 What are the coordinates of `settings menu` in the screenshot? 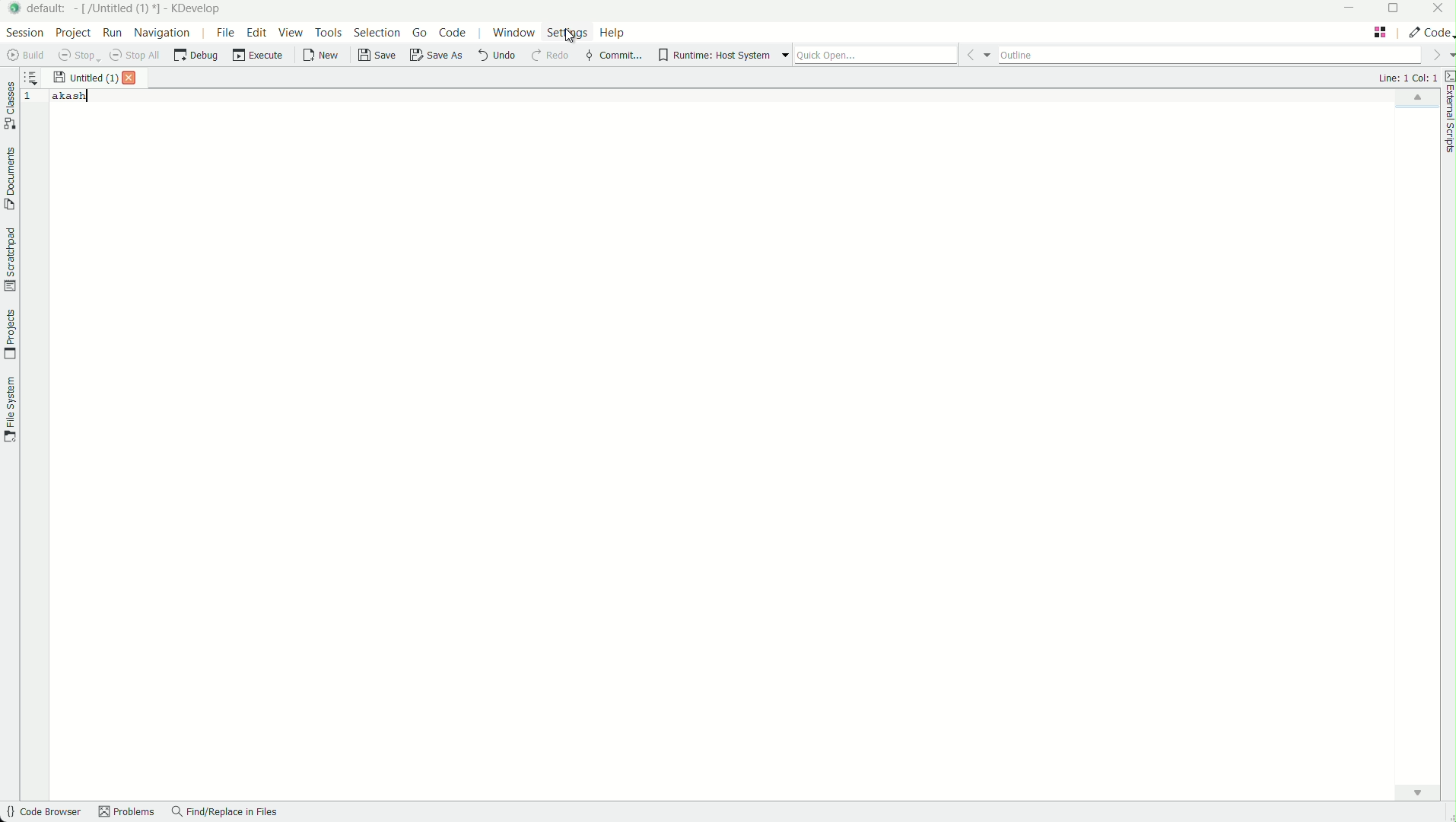 It's located at (567, 35).